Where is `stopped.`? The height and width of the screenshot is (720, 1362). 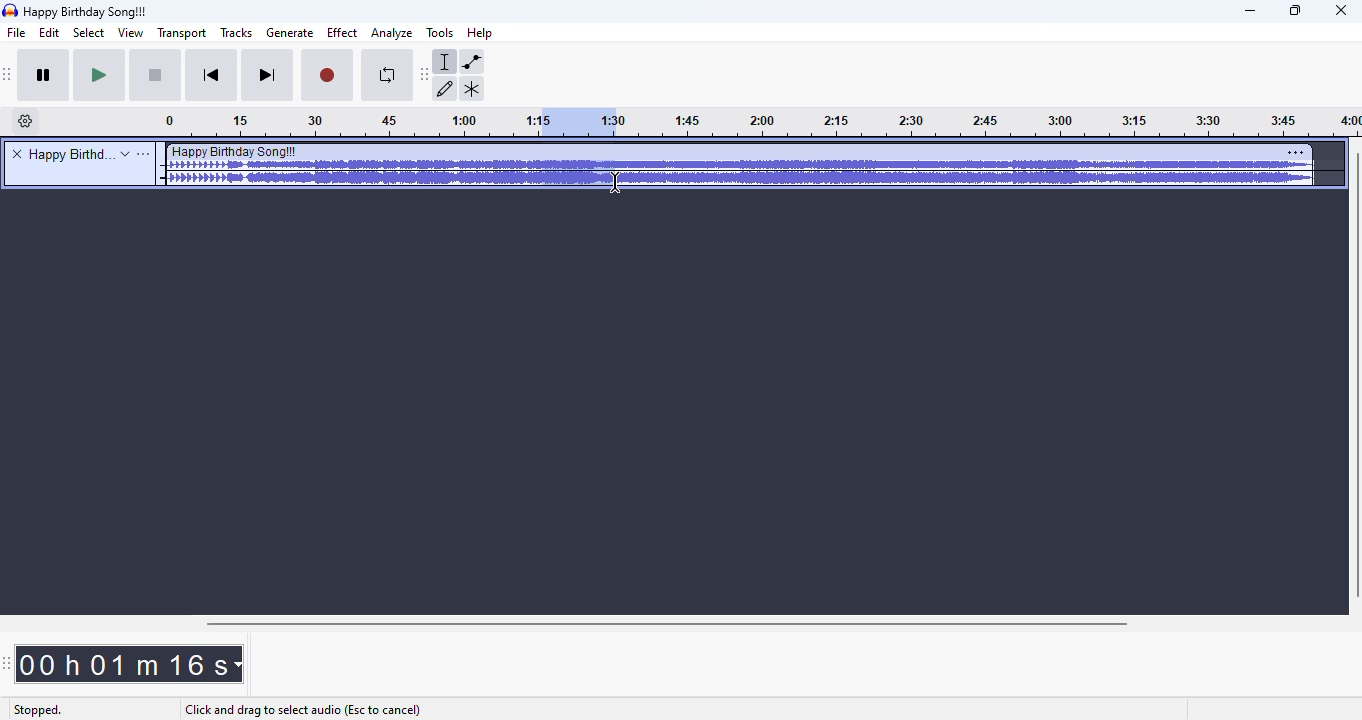 stopped. is located at coordinates (37, 711).